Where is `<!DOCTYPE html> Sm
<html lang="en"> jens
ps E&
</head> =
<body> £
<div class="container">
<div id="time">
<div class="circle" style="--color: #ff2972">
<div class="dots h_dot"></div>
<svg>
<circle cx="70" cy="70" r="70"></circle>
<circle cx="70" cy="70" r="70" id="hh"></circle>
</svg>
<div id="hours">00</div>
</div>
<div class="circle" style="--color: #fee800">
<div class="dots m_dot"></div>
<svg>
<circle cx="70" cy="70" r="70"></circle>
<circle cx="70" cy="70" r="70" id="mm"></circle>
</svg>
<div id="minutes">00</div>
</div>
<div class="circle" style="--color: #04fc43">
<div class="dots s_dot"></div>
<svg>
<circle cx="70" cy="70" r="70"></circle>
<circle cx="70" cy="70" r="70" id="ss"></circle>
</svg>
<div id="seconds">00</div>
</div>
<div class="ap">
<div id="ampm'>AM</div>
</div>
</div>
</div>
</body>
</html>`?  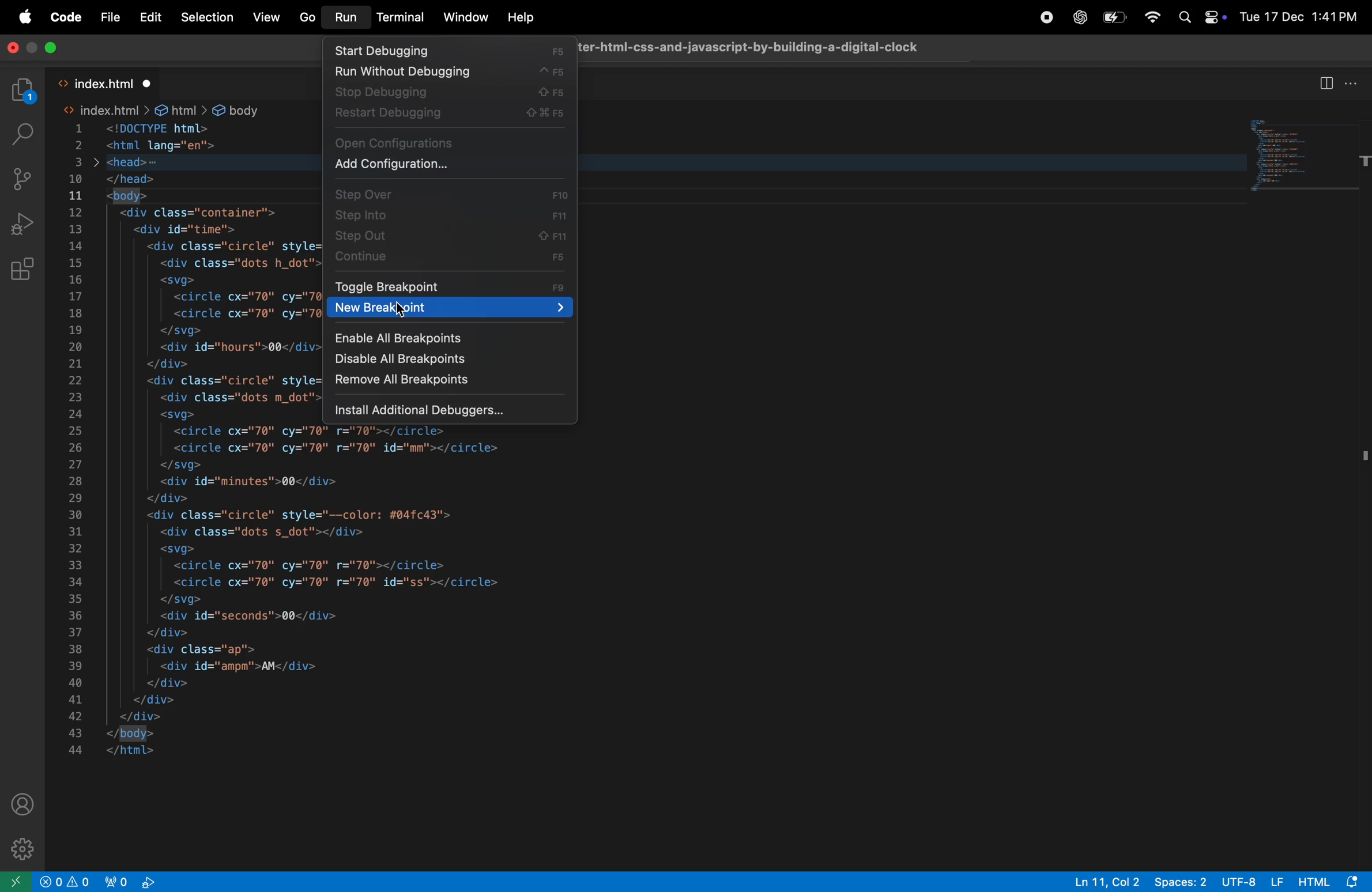
<!DOCTYPE html> Sm
<html lang="en"> jens
ps E&
</head> =
<body> £
<div class="container">
<div id="time">
<div class="circle" style="--color: #ff2972">
<div class="dots h_dot"></div>
<svg>
<circle cx="70" cy="70" r="70"></circle>
<circle cx="70" cy="70" r="70" id="hh"></circle>
</svg>
<div id="hours">00</div>
</div>
<div class="circle" style="--color: #fee800">
<div class="dots m_dot"></div>
<svg>
<circle cx="70" cy="70" r="70"></circle>
<circle cx="70" cy="70" r="70" id="mm"></circle>
</svg>
<div id="minutes">00</div>
</div>
<div class="circle" style="--color: #04fc43">
<div class="dots s_dot"></div>
<svg>
<circle cx="70" cy="70" r="70"></circle>
<circle cx="70" cy="70" r="70" id="ss"></circle>
</svg>
<div id="seconds">00</div>
</div>
<div class="ap">
<div id="ampm'>AM</div>
</div>
</div>
</div>
</body>
</html> is located at coordinates (210, 441).